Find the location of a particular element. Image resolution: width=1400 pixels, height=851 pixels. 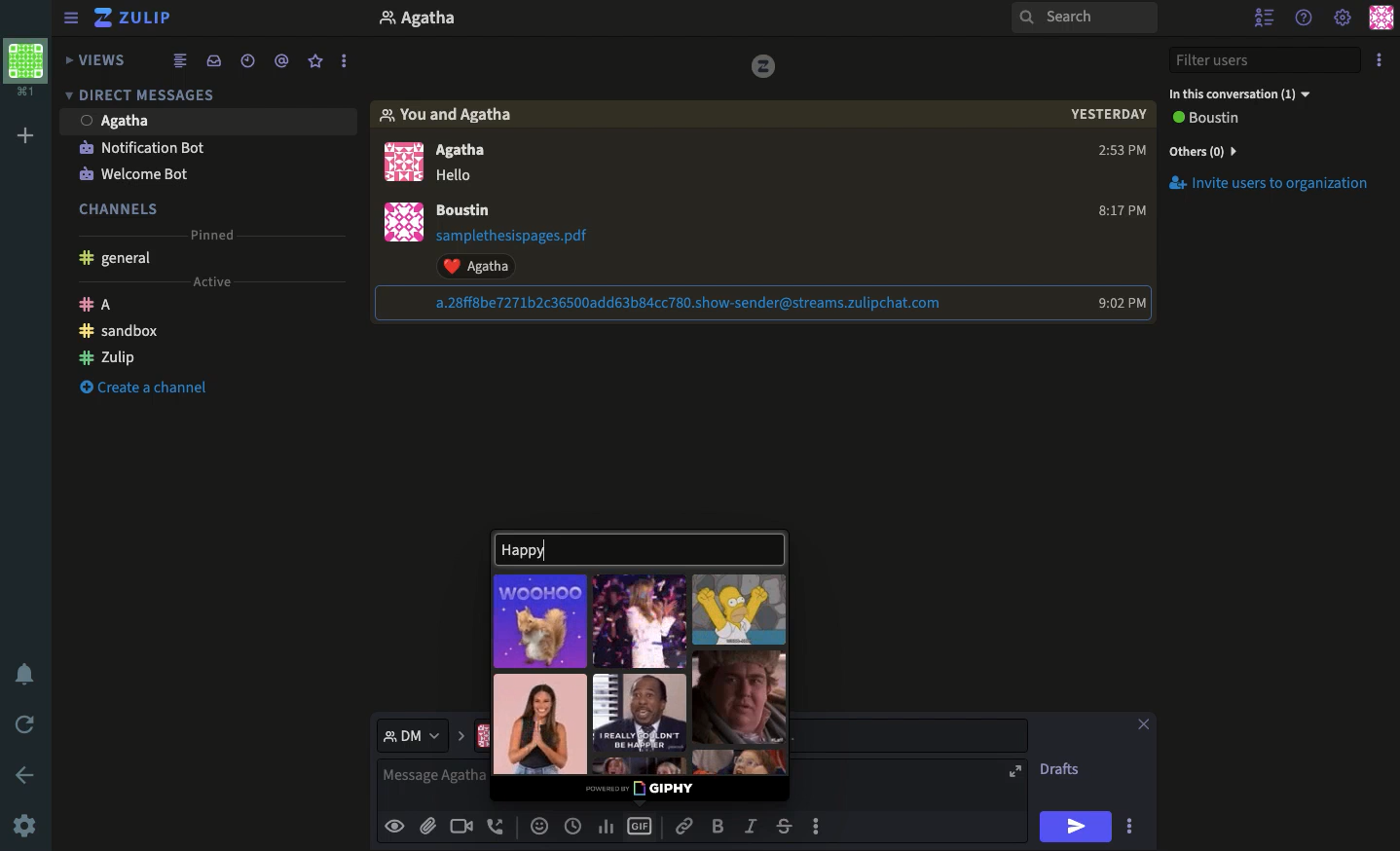

Refresh is located at coordinates (24, 723).